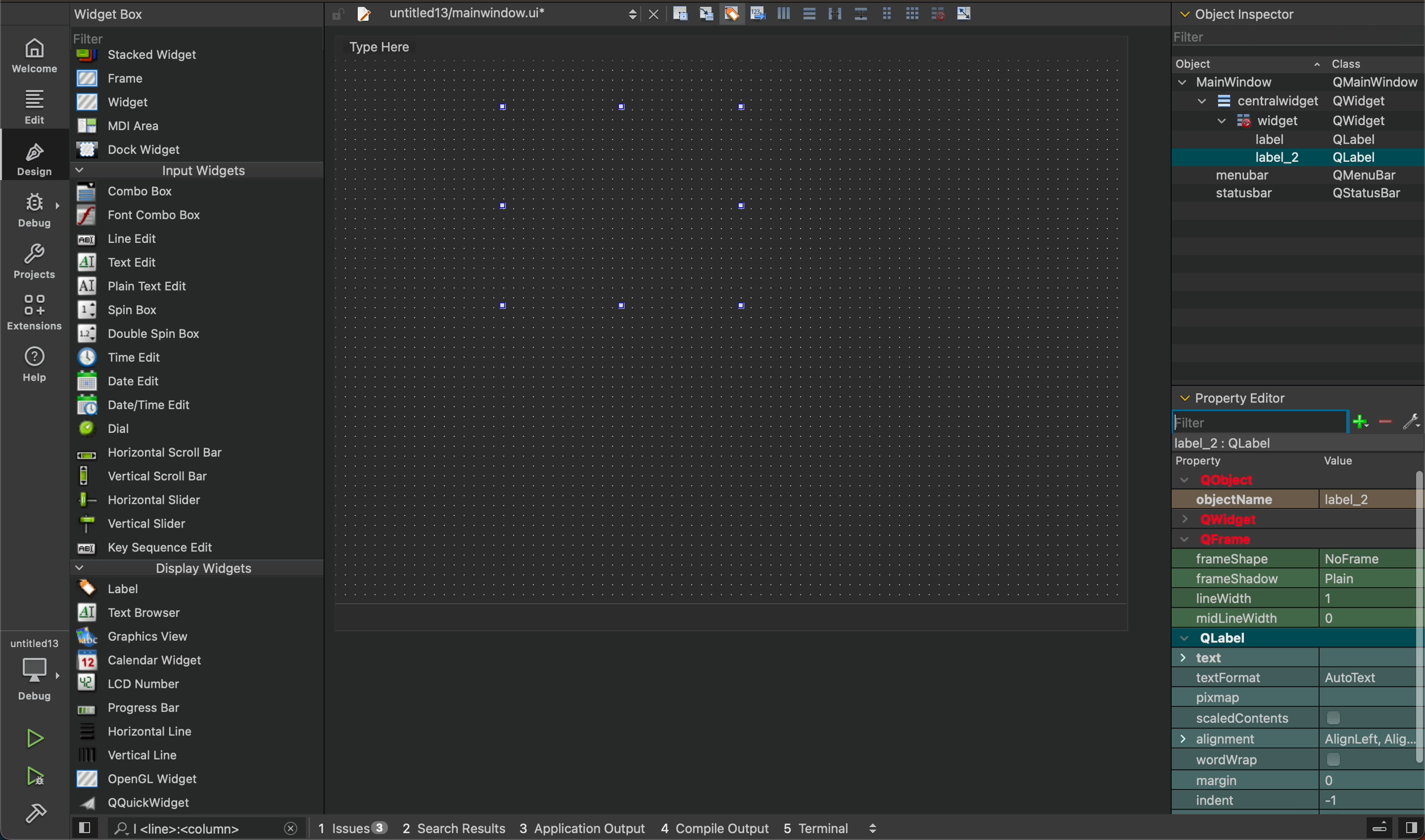 This screenshot has height=840, width=1425. Describe the element at coordinates (1296, 718) in the screenshot. I see `` at that location.